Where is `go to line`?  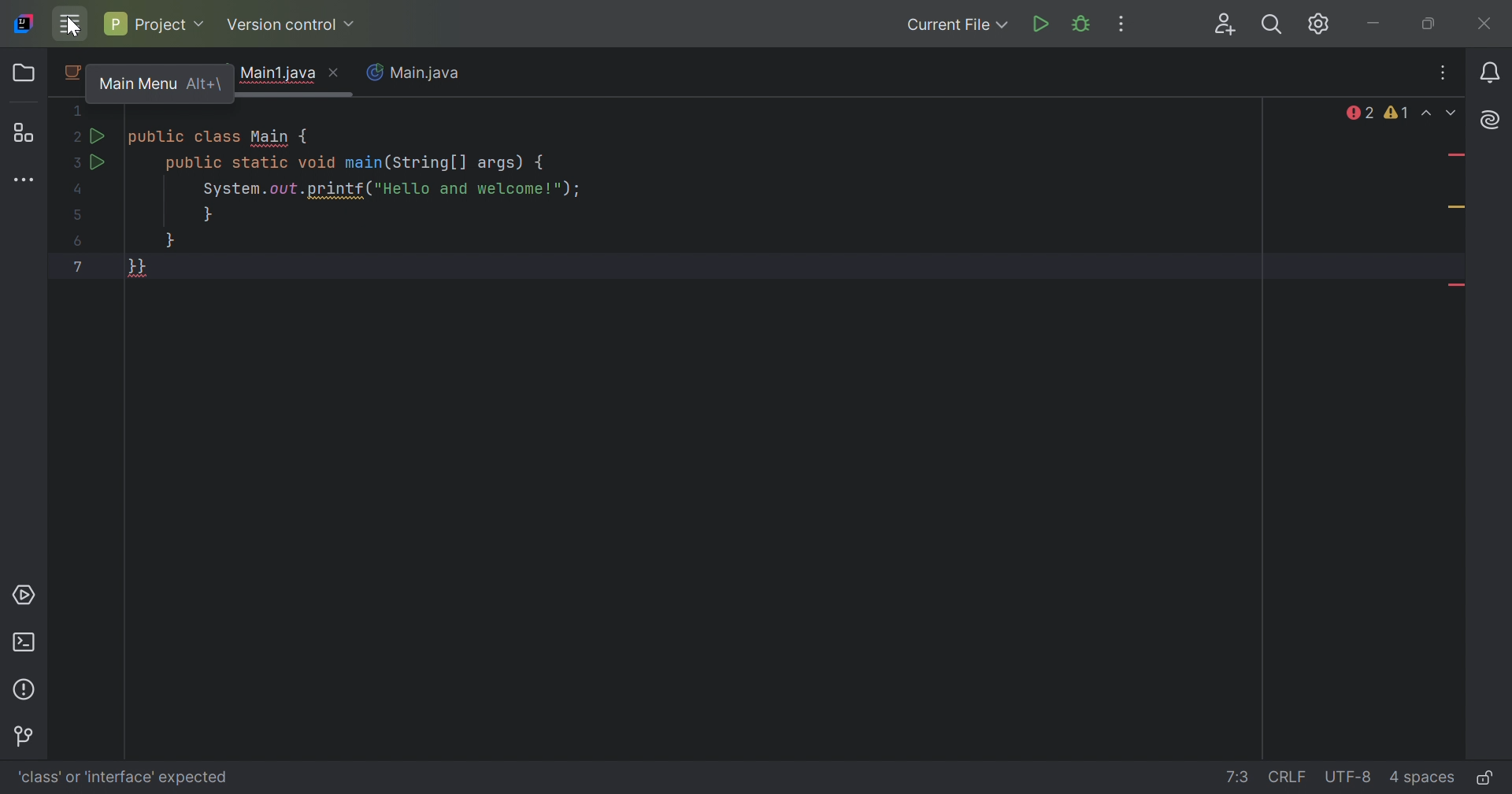
go to line is located at coordinates (1238, 778).